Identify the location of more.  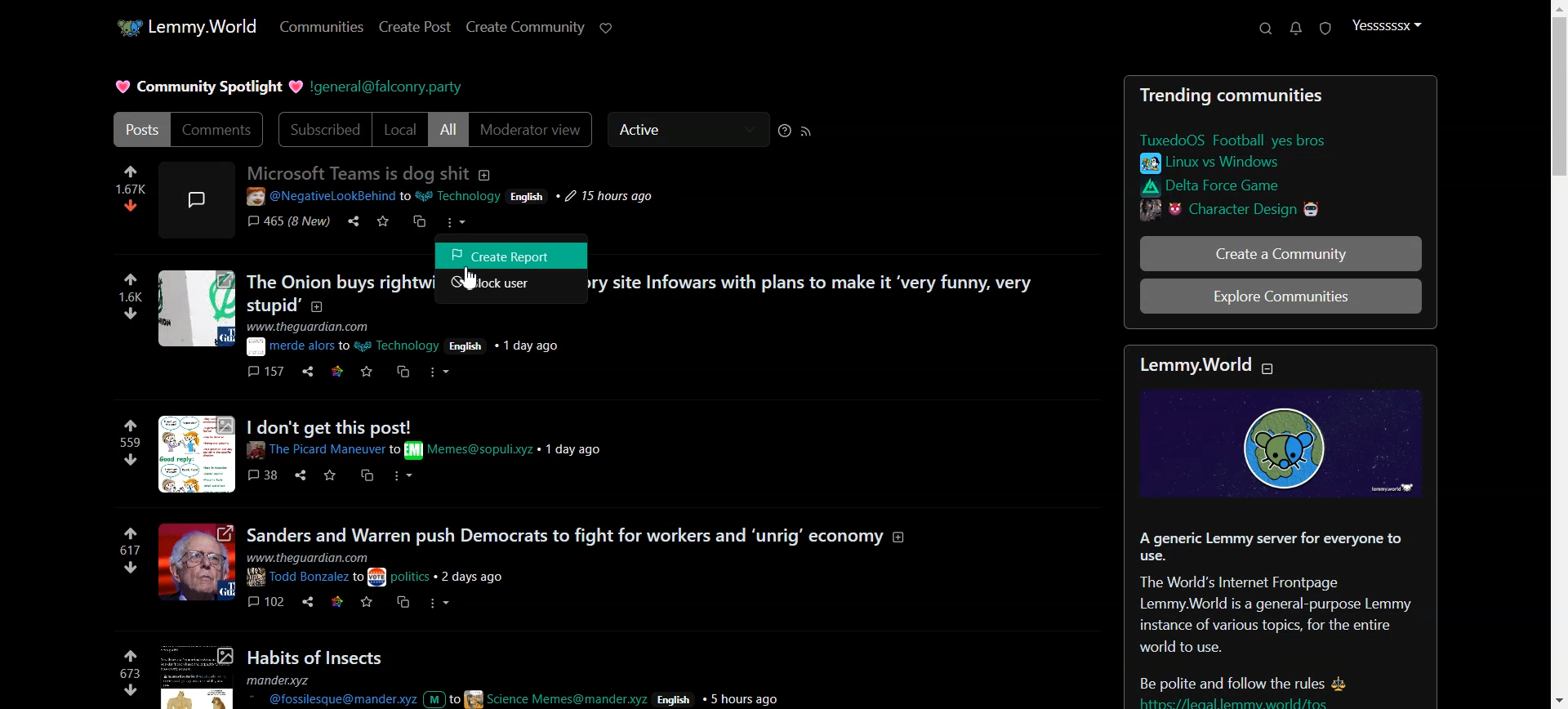
(403, 475).